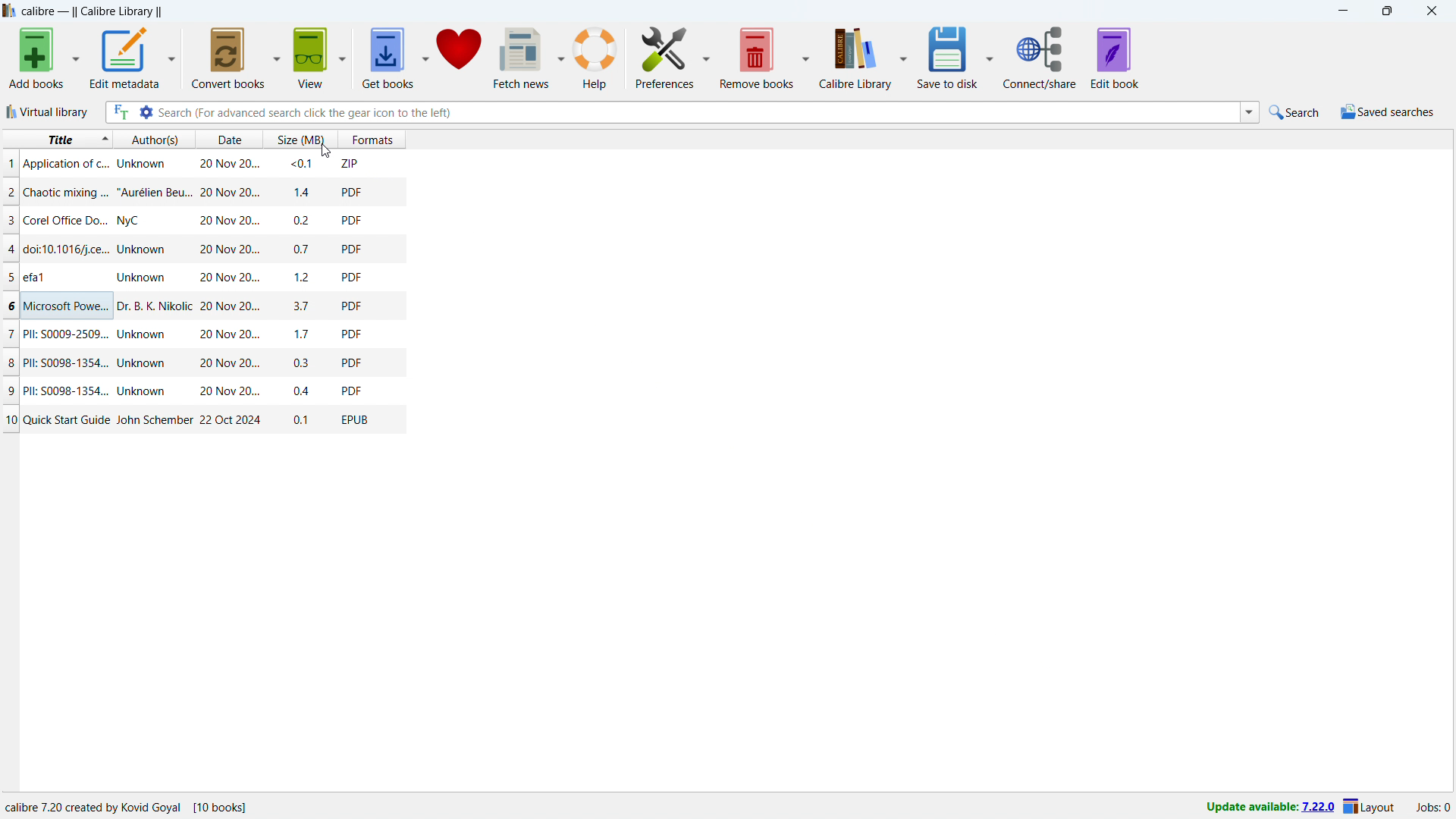  Describe the element at coordinates (143, 278) in the screenshot. I see `author` at that location.